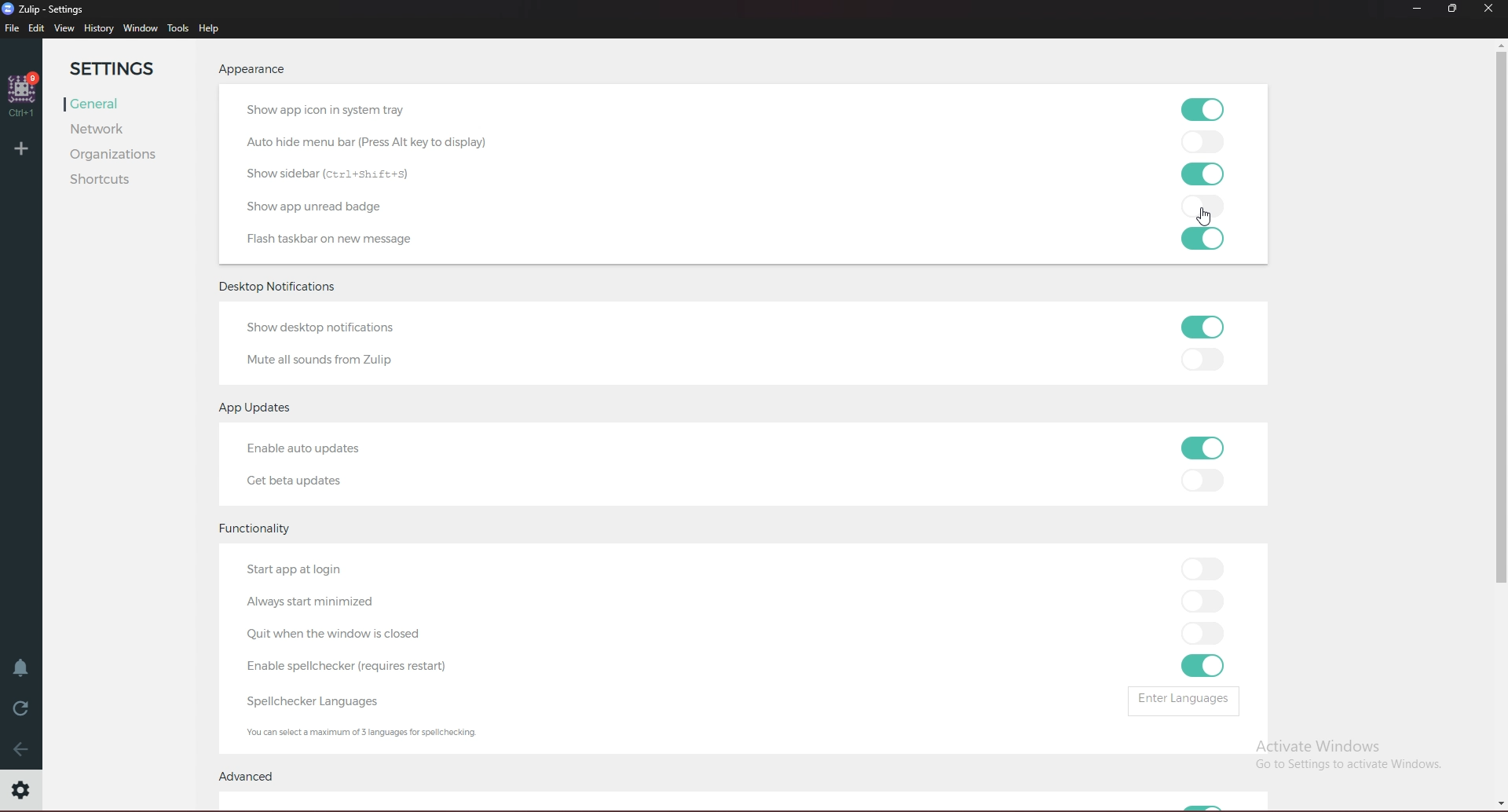  I want to click on resize, so click(1452, 9).